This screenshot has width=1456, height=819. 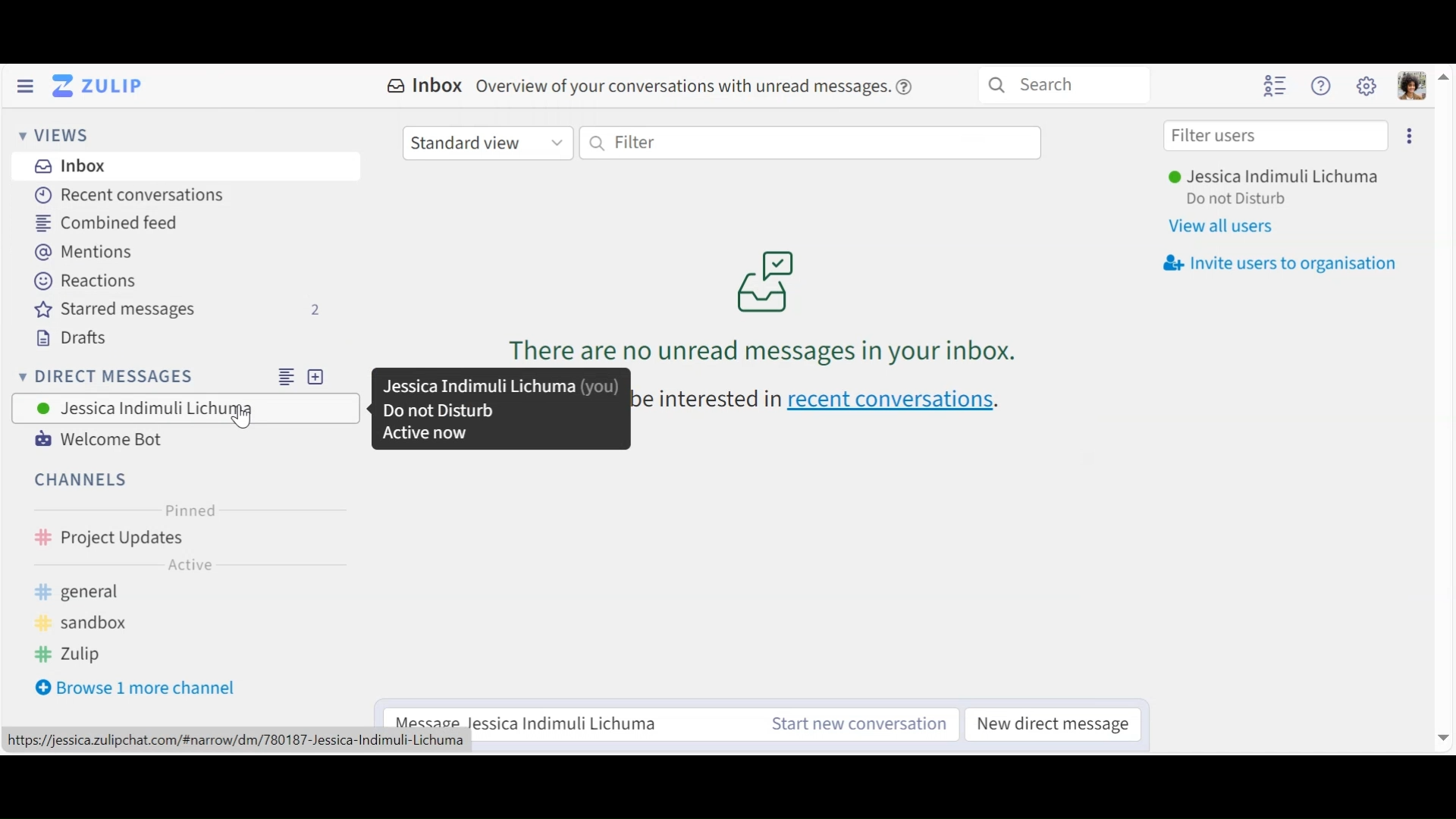 What do you see at coordinates (110, 222) in the screenshot?
I see `Combined feed` at bounding box center [110, 222].